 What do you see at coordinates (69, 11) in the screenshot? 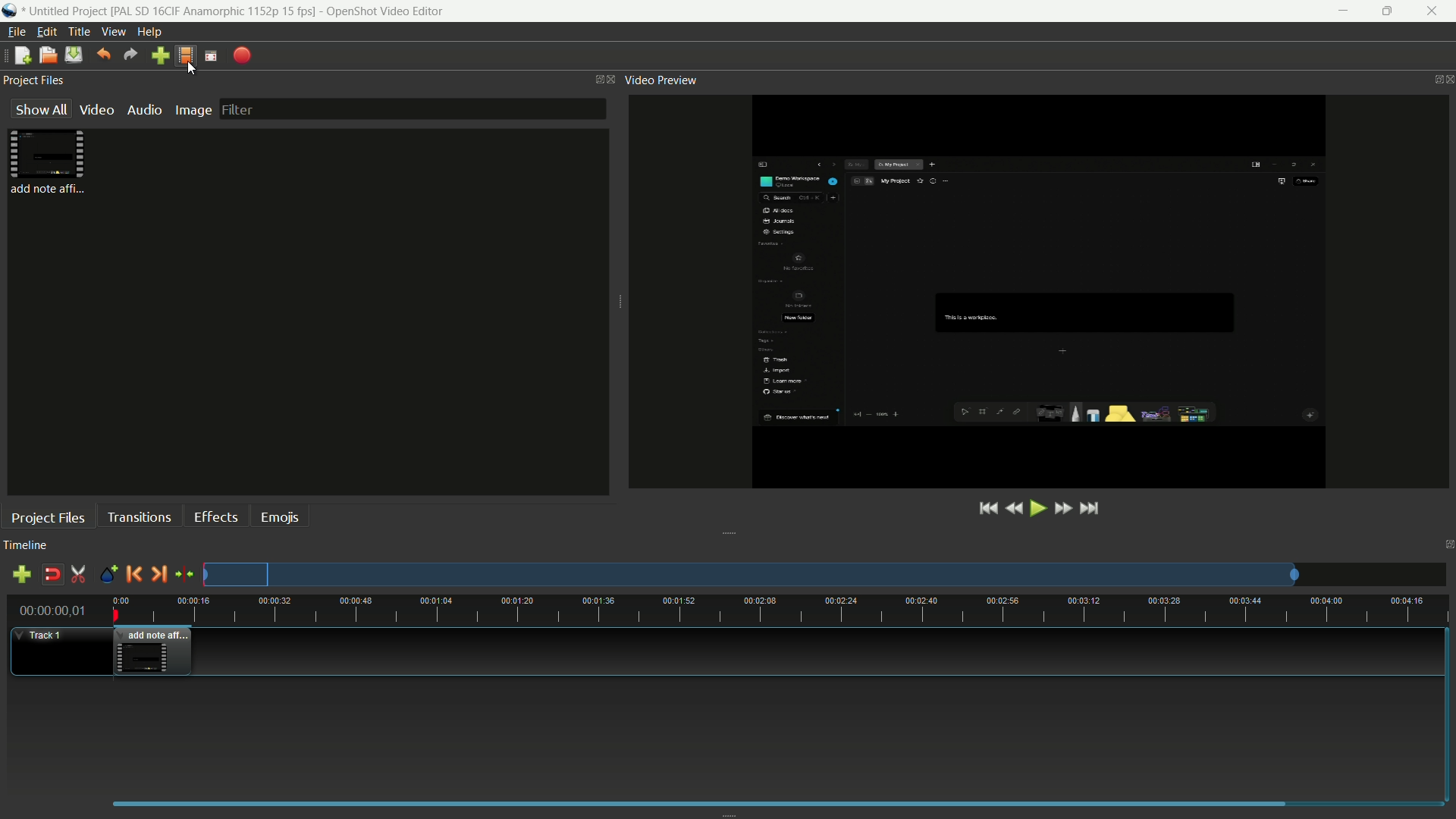
I see `project name` at bounding box center [69, 11].